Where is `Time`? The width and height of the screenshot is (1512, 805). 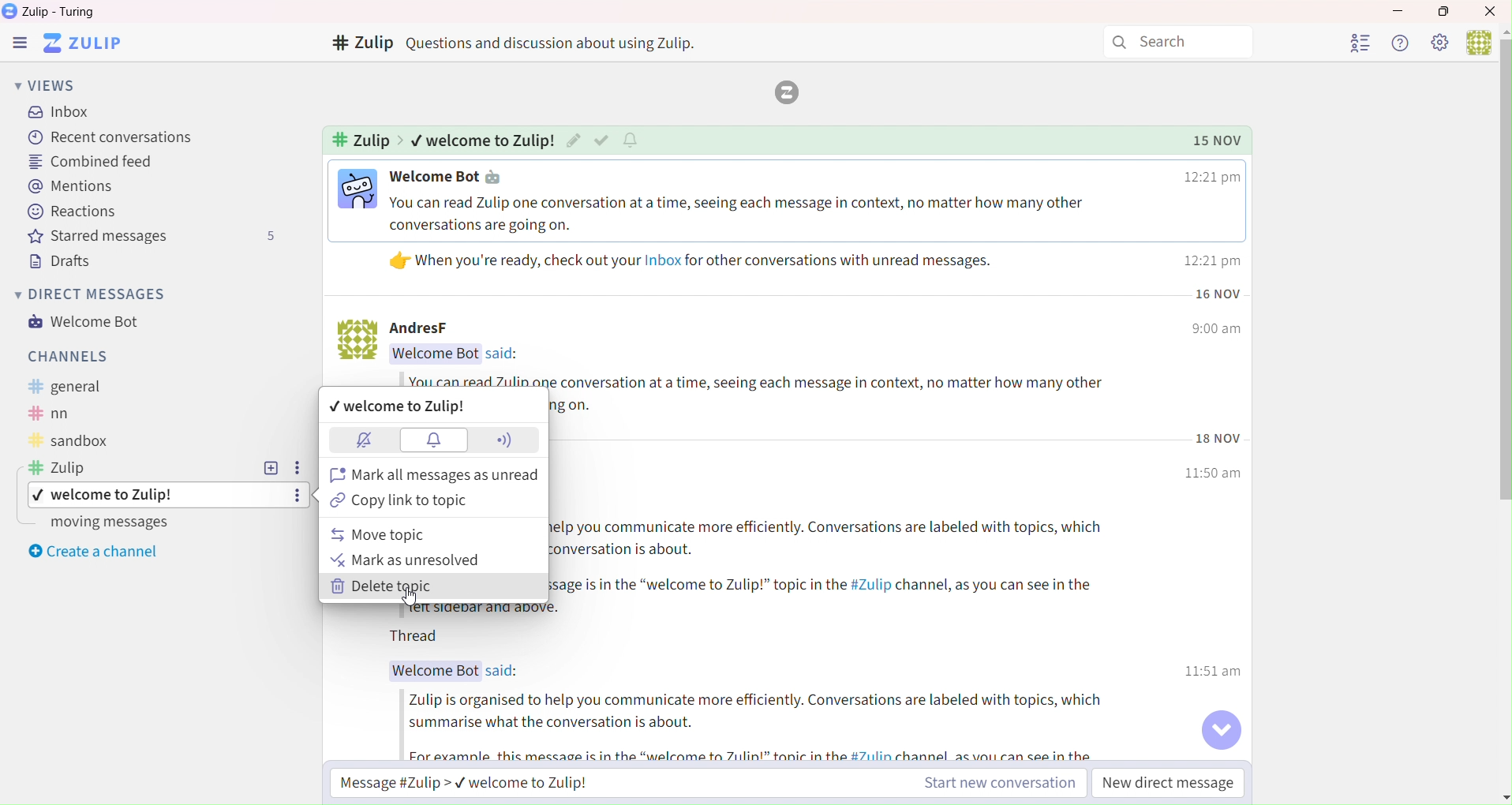 Time is located at coordinates (1214, 472).